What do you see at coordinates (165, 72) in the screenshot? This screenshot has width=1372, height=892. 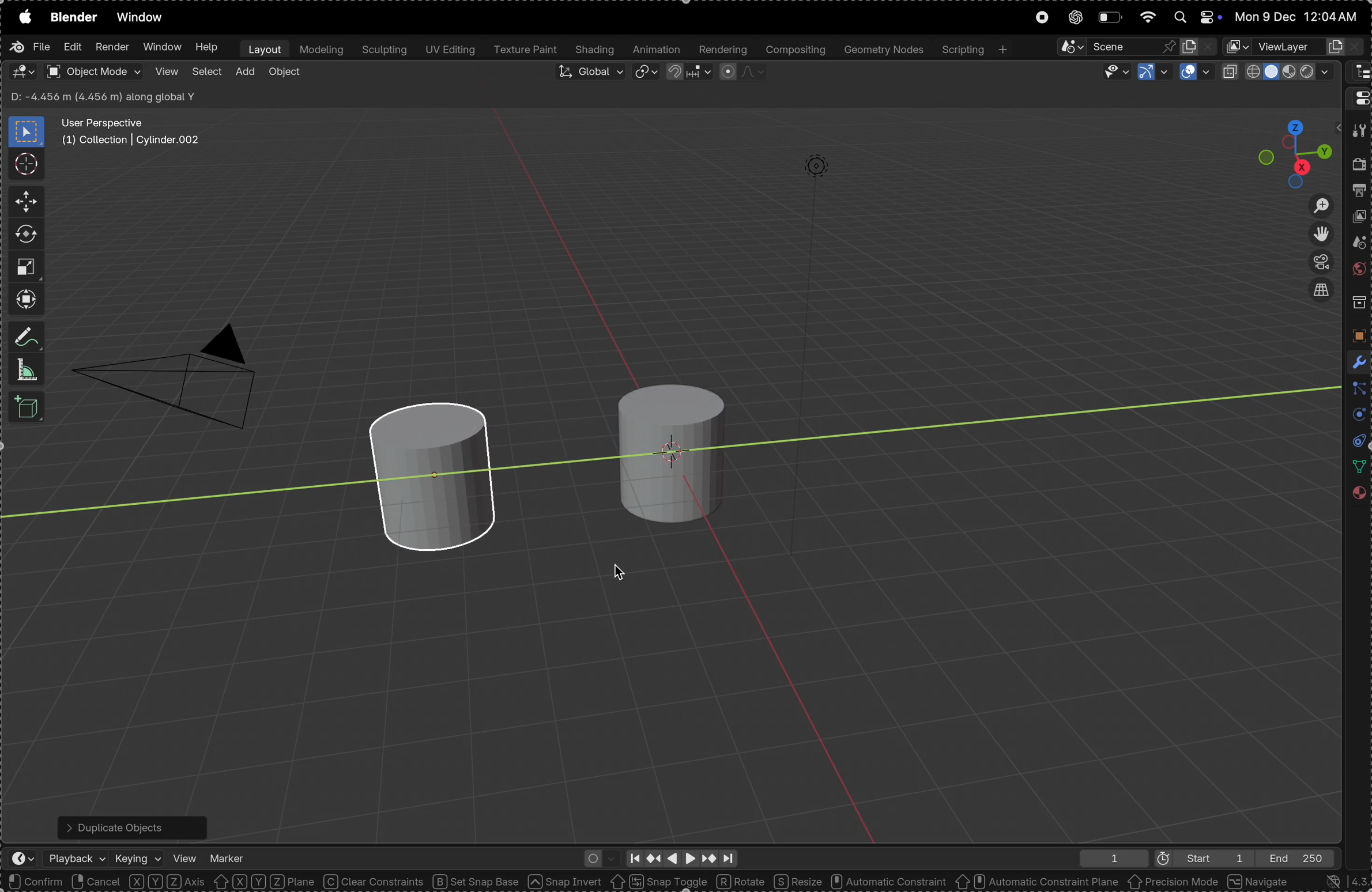 I see `view` at bounding box center [165, 72].